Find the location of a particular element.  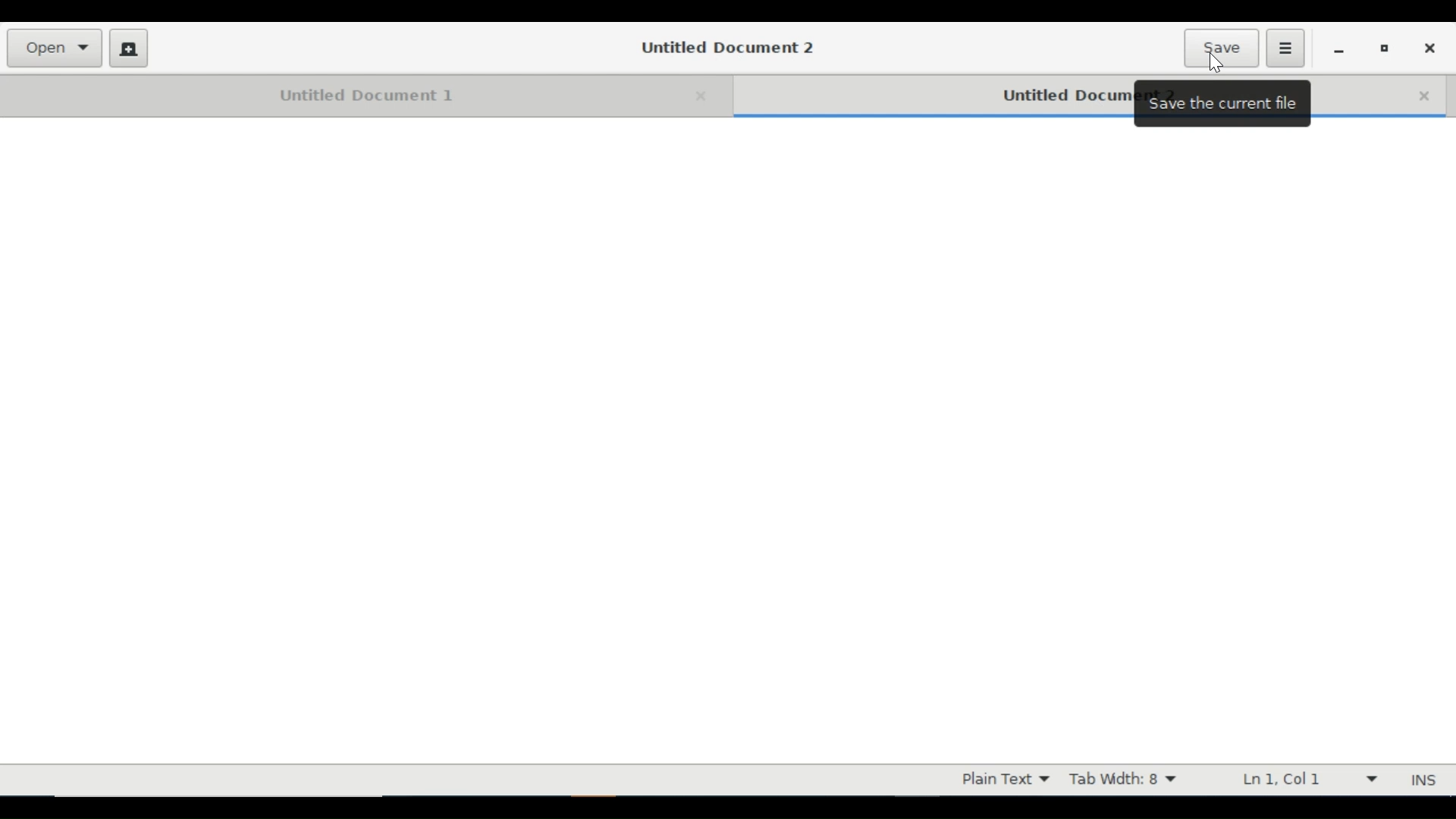

Save is located at coordinates (1221, 47).